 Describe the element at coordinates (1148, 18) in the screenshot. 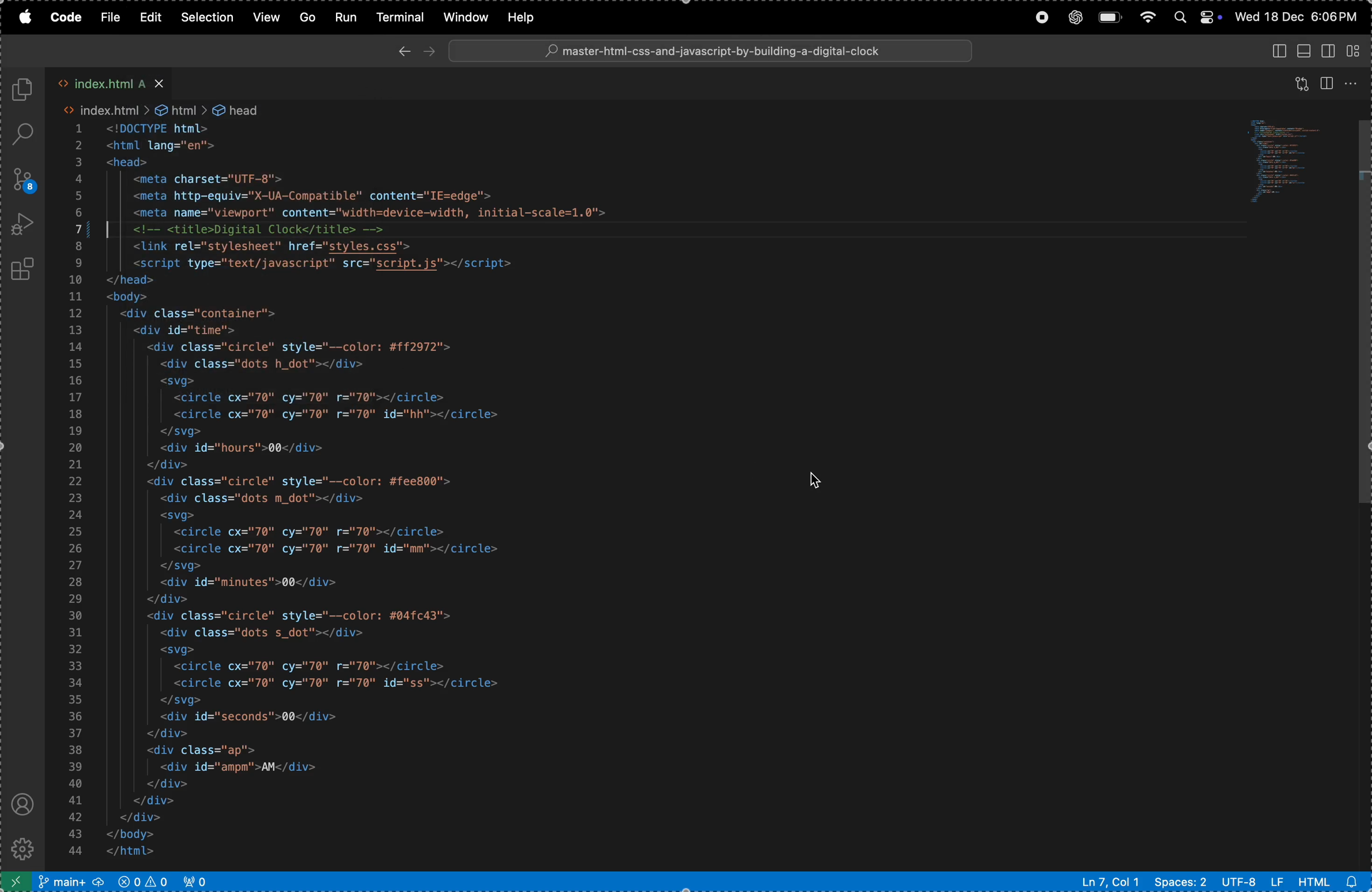

I see `wifi` at that location.